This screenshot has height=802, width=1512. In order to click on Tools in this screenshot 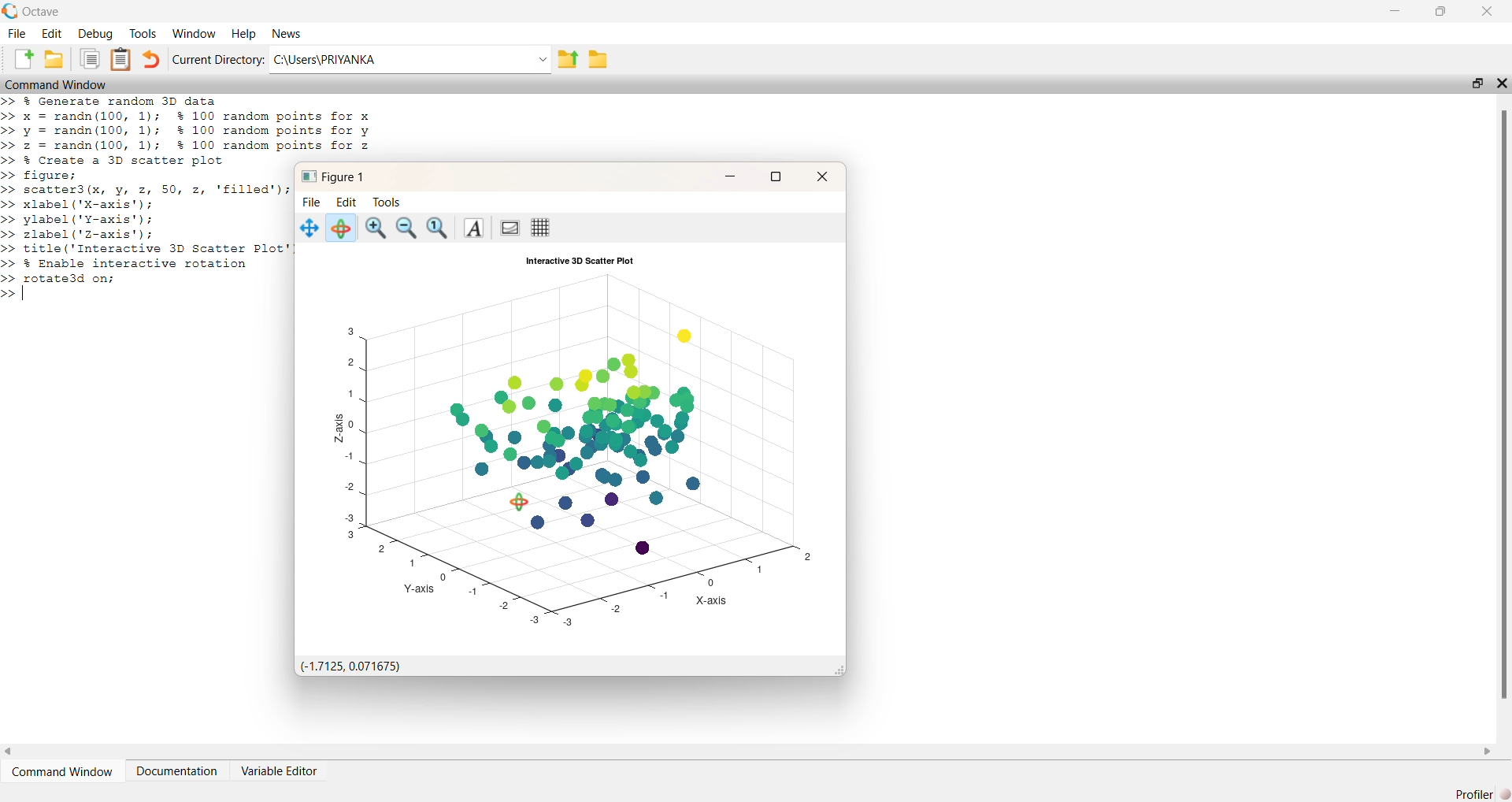, I will do `click(387, 202)`.